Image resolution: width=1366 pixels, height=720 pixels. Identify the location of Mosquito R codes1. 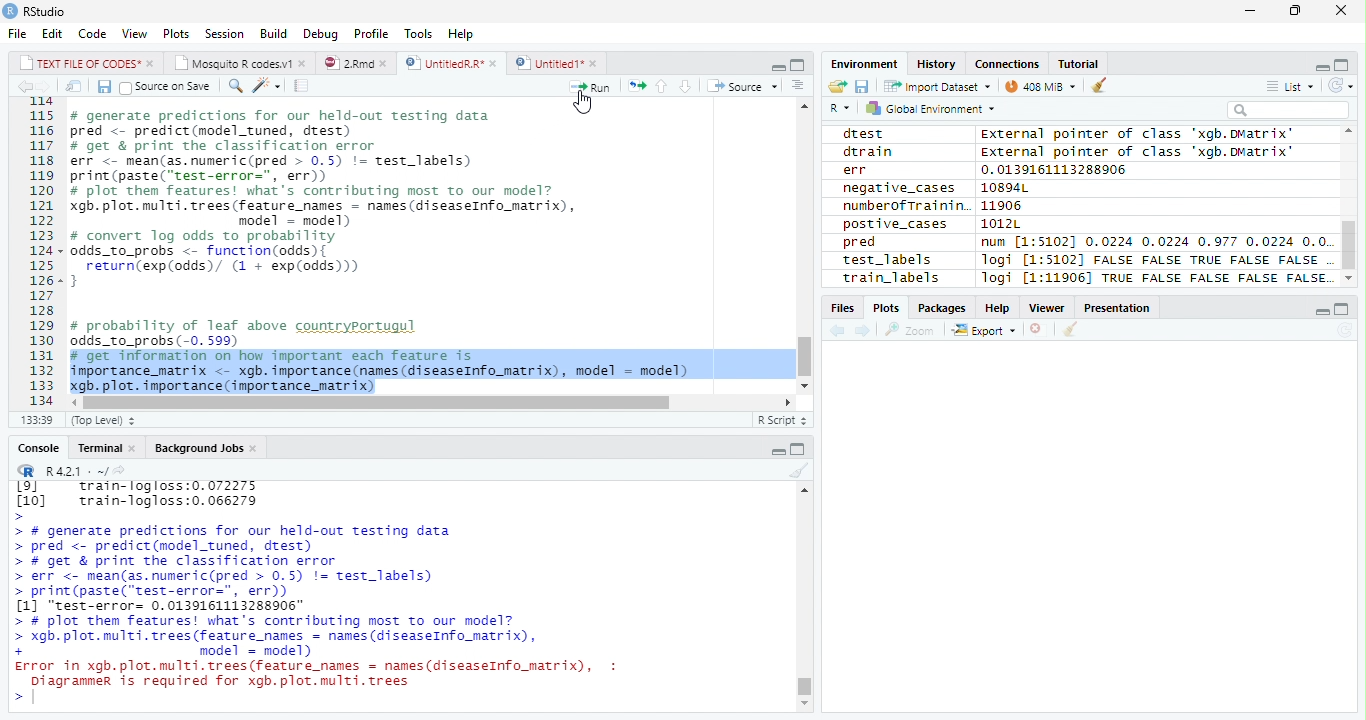
(241, 63).